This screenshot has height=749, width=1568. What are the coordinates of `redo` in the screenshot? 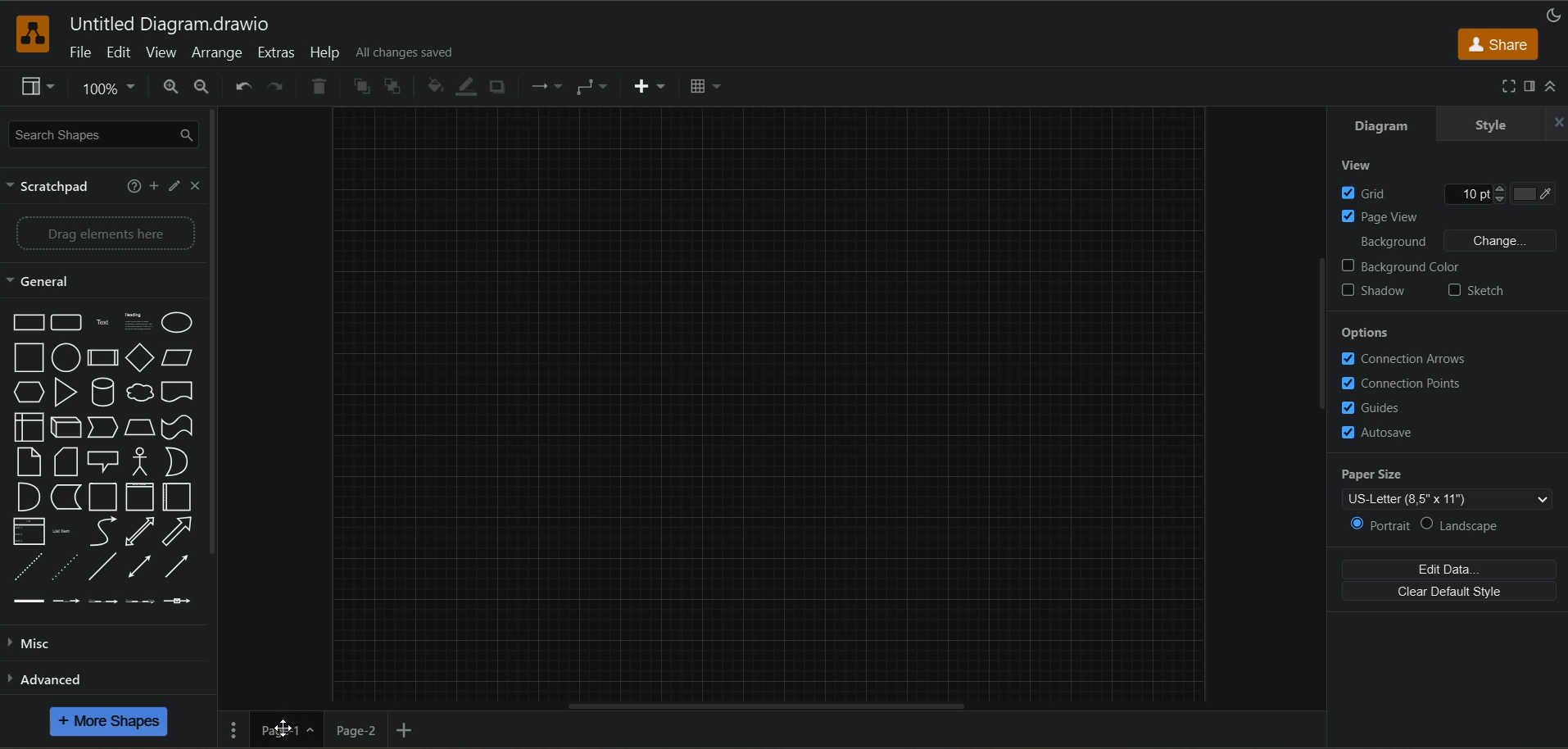 It's located at (279, 87).